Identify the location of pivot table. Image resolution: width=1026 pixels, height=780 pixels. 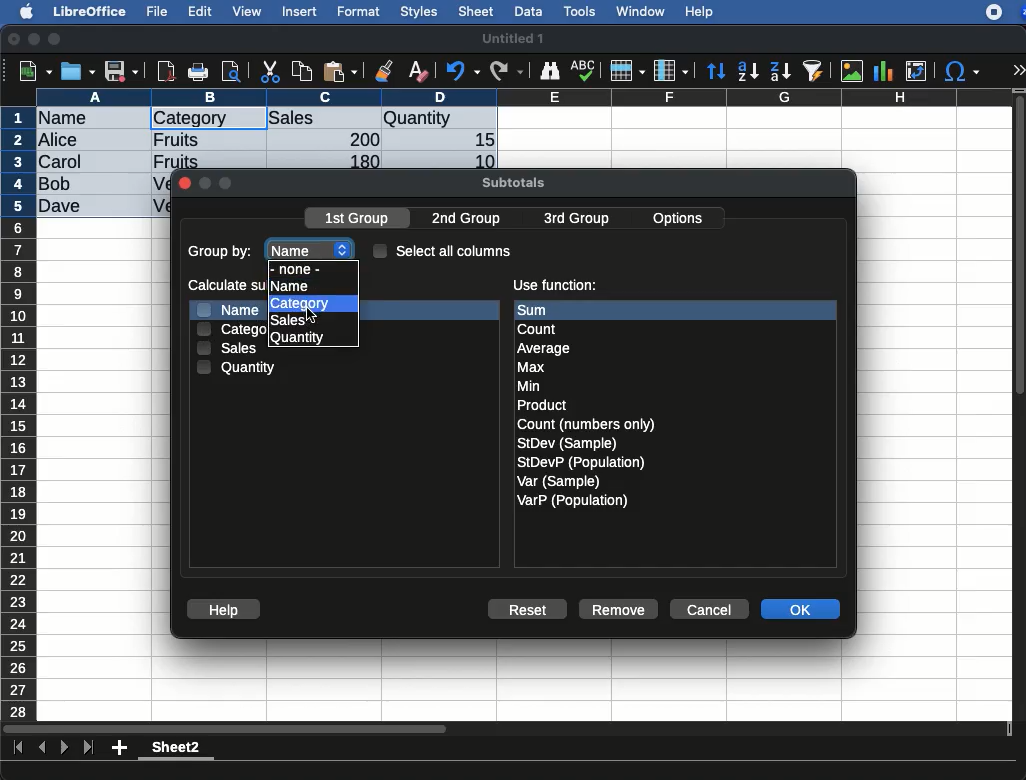
(916, 71).